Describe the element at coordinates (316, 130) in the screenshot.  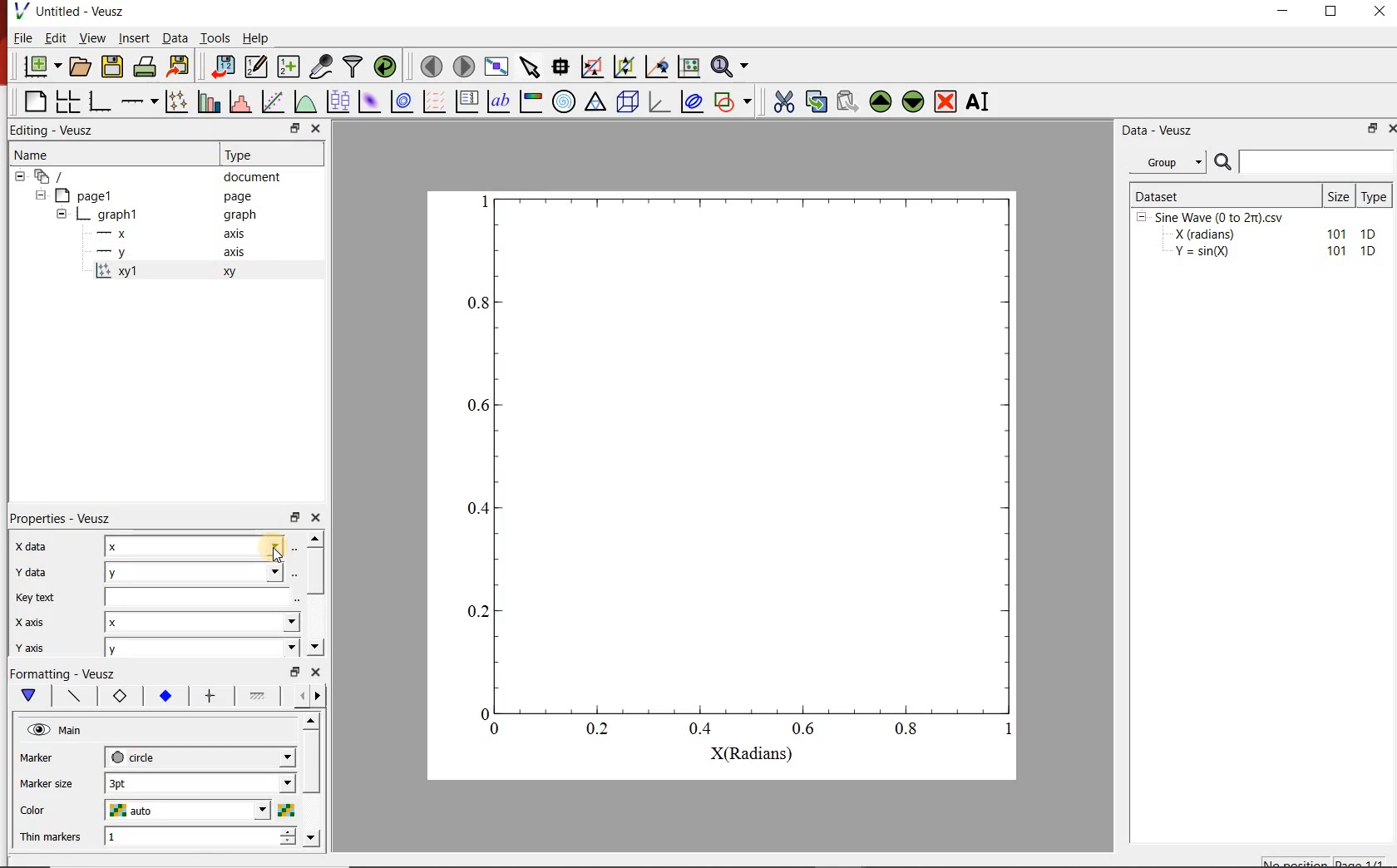
I see `Close` at that location.